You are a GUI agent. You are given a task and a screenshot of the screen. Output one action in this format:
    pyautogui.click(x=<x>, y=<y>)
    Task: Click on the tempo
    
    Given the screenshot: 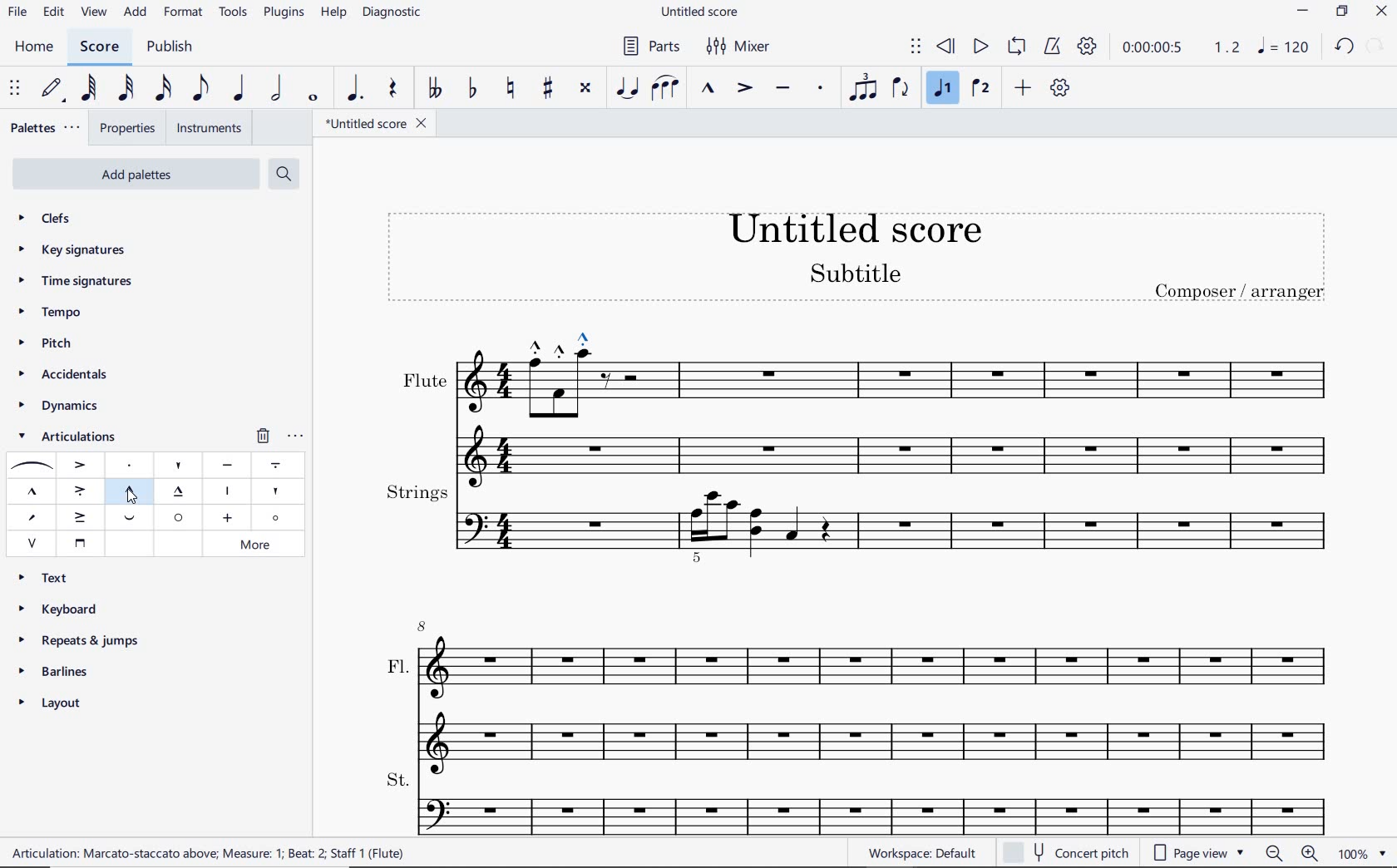 What is the action you would take?
    pyautogui.click(x=51, y=312)
    